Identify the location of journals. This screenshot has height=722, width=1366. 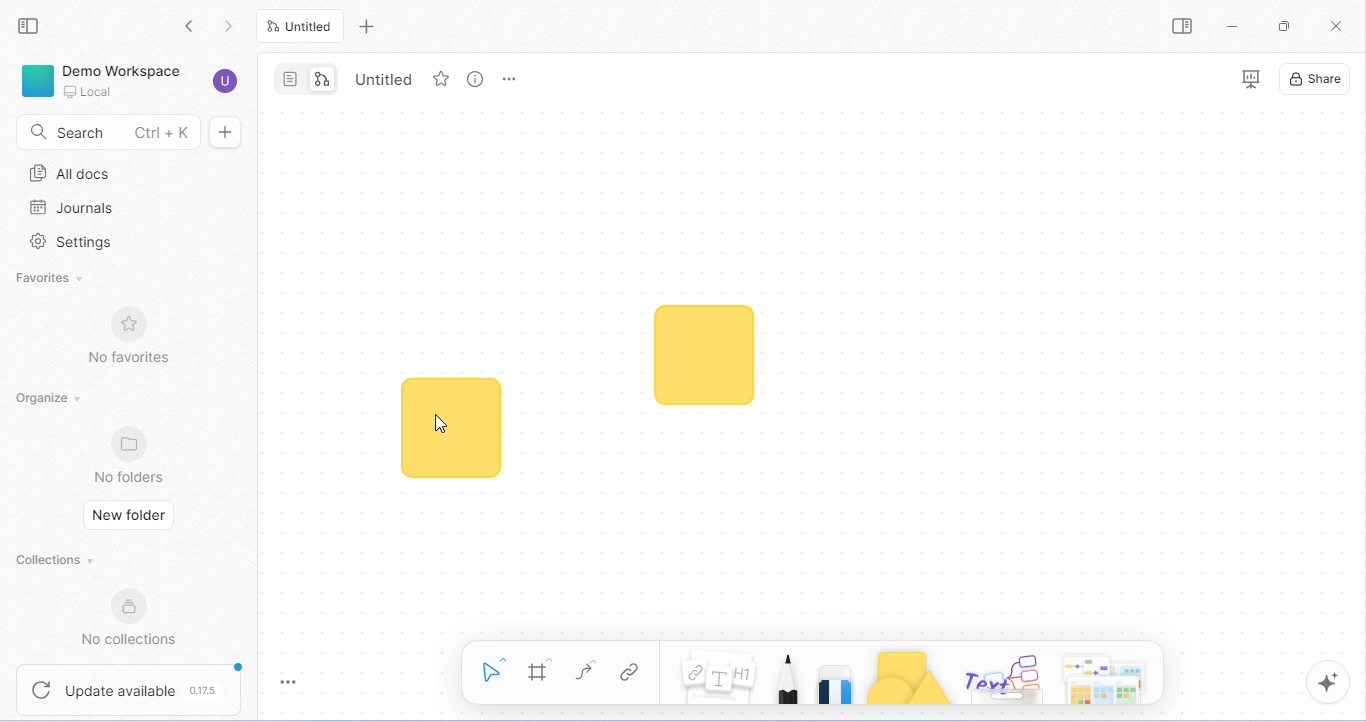
(69, 208).